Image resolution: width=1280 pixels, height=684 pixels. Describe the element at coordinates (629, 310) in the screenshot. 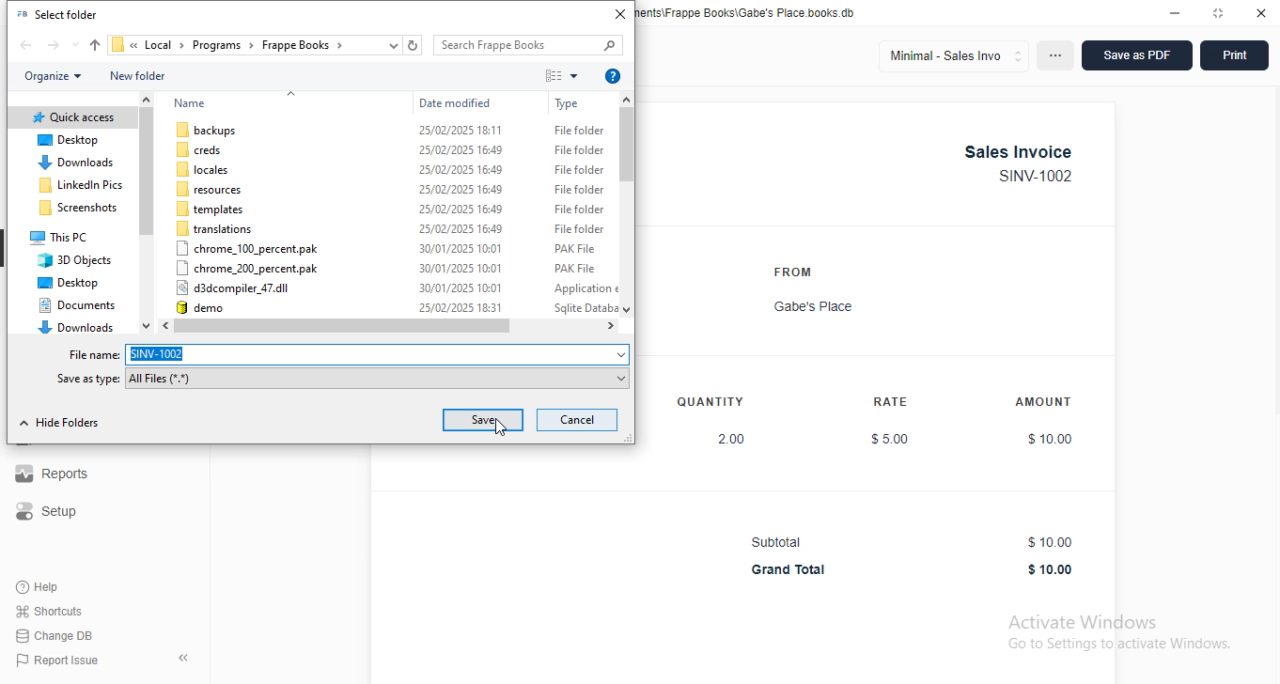

I see `scroll down` at that location.